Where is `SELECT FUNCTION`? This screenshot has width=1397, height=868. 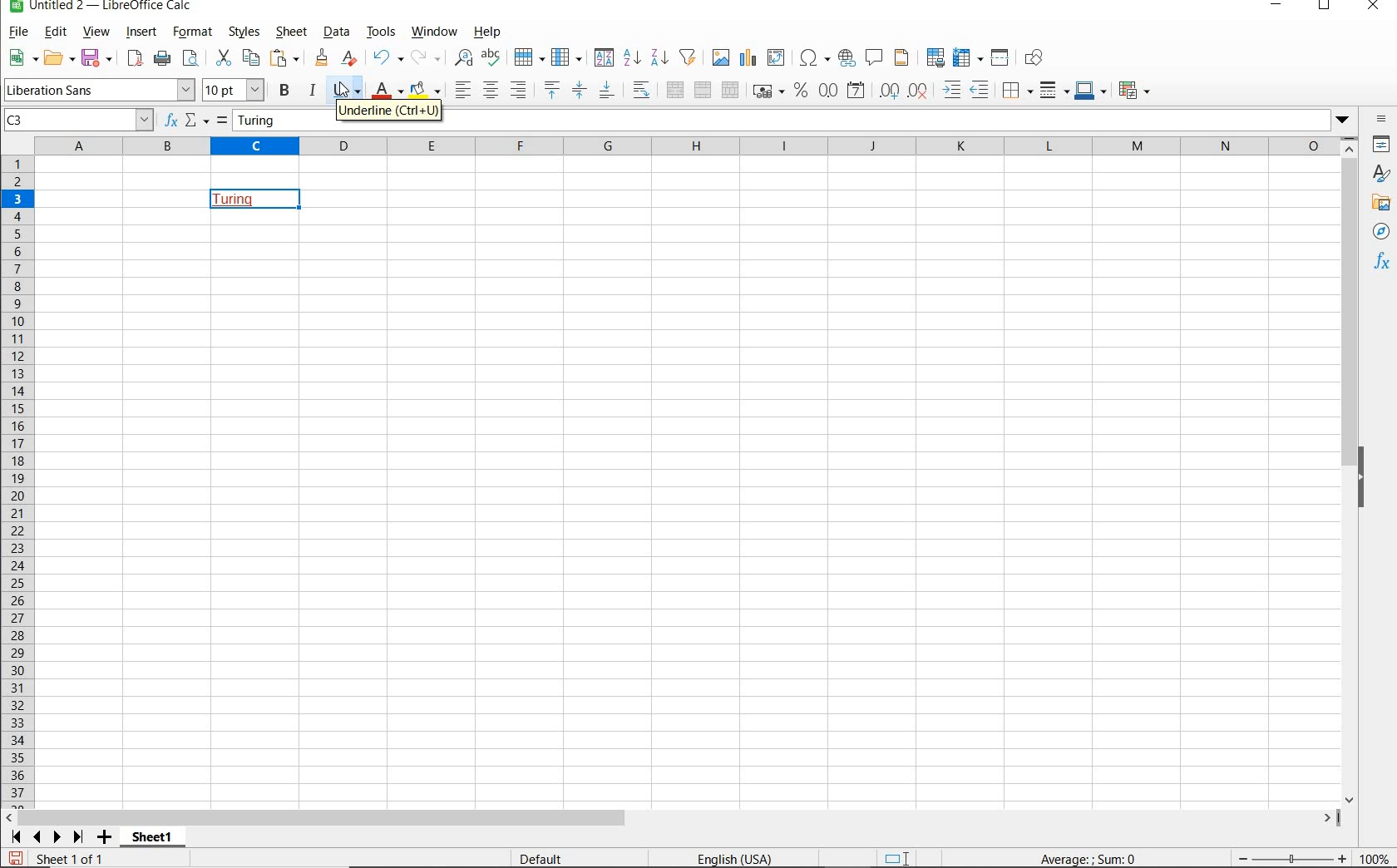
SELECT FUNCTION is located at coordinates (197, 121).